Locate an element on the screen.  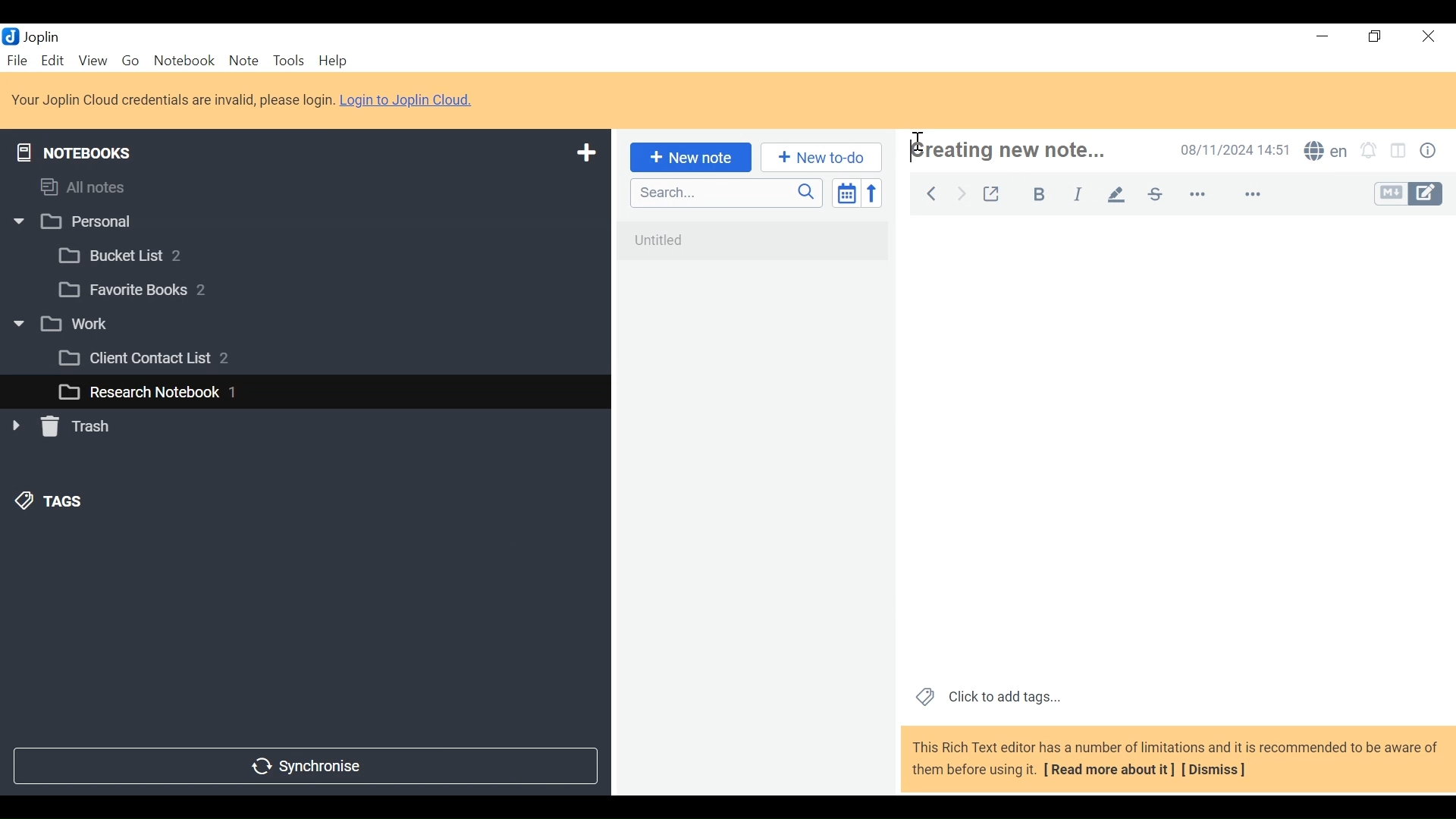
Synchronize is located at coordinates (304, 764).